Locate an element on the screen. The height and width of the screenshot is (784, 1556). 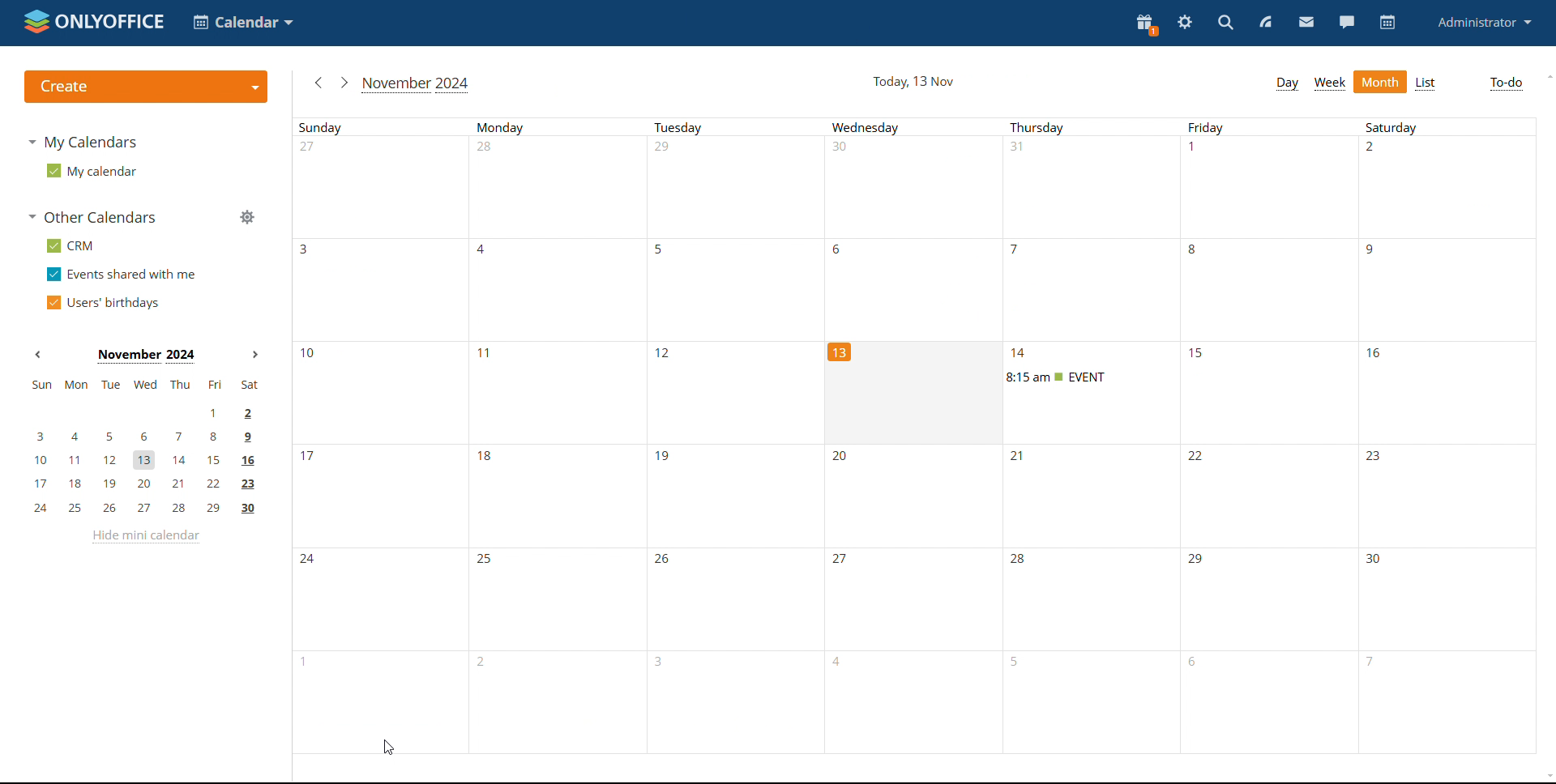
hide mini calendar is located at coordinates (143, 536).